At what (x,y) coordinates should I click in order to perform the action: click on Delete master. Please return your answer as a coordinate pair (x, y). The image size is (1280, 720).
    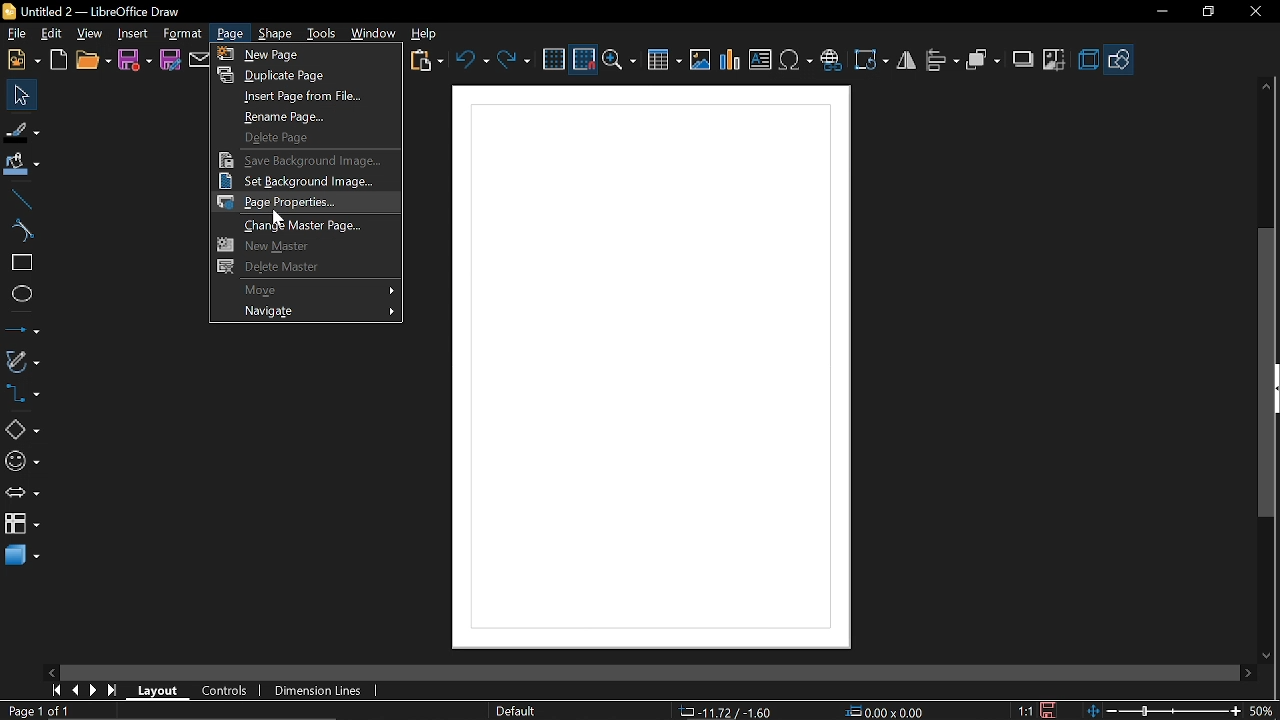
    Looking at the image, I should click on (303, 266).